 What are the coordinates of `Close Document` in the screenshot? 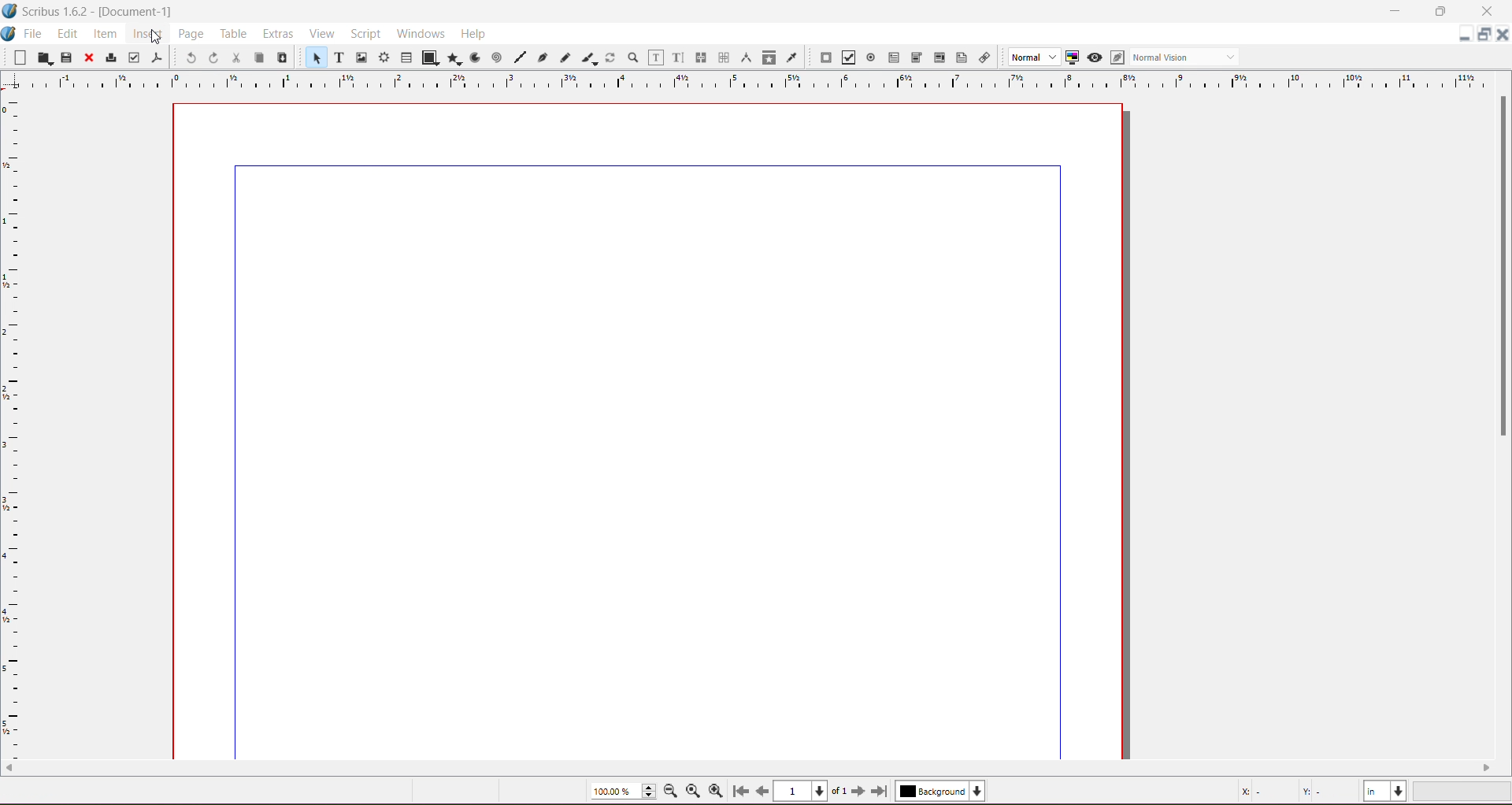 It's located at (1503, 35).